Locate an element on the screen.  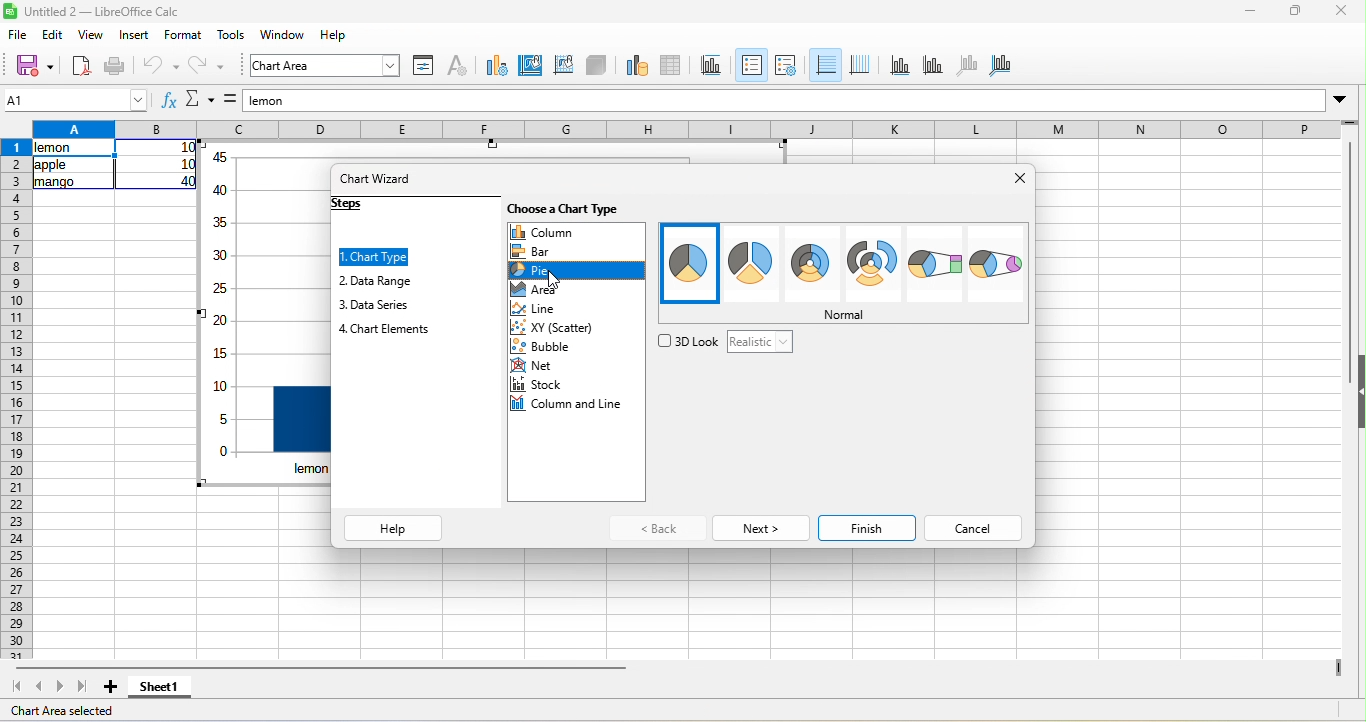
3d view is located at coordinates (596, 65).